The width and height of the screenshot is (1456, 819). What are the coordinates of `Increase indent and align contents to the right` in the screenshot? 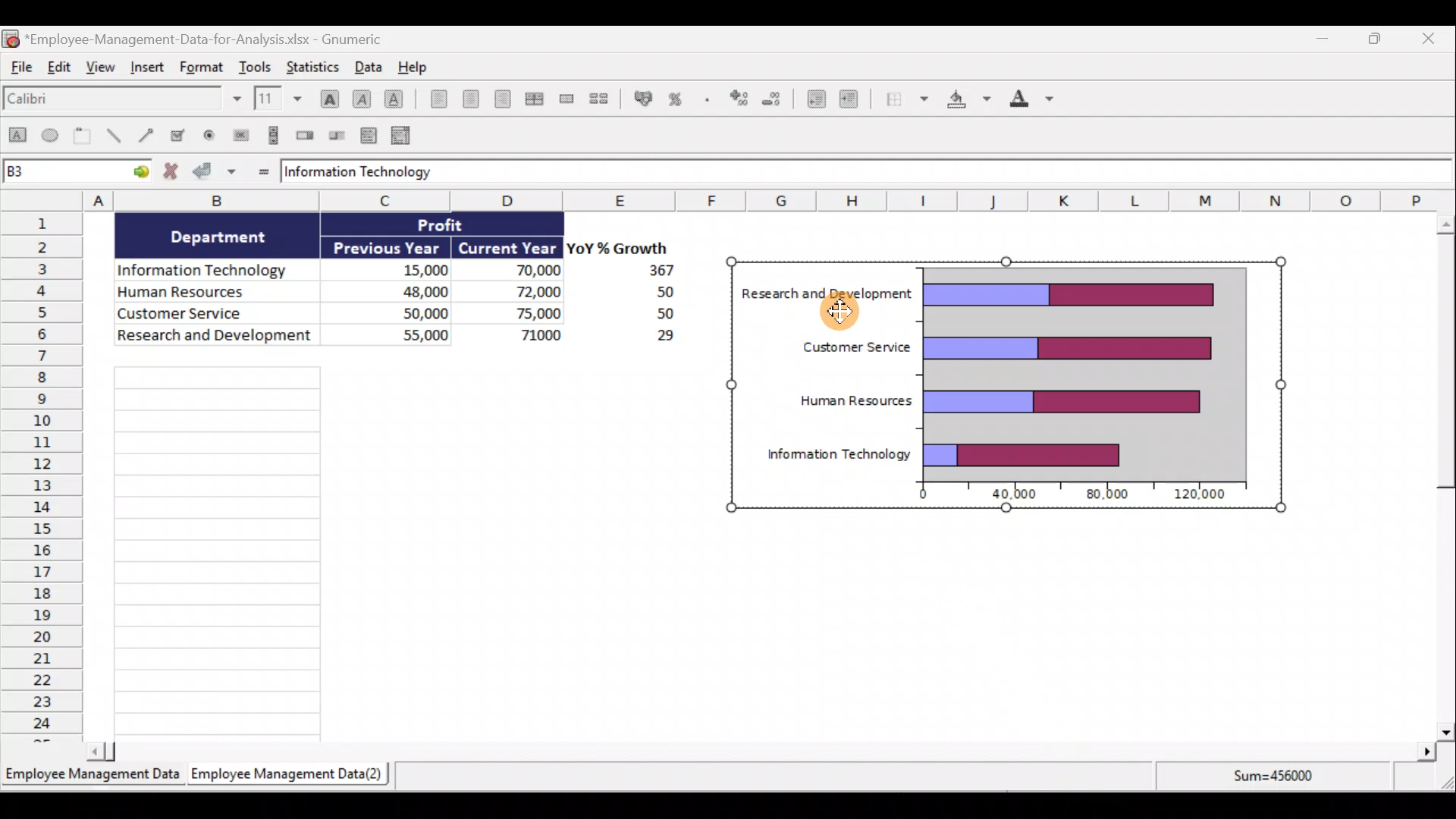 It's located at (852, 100).